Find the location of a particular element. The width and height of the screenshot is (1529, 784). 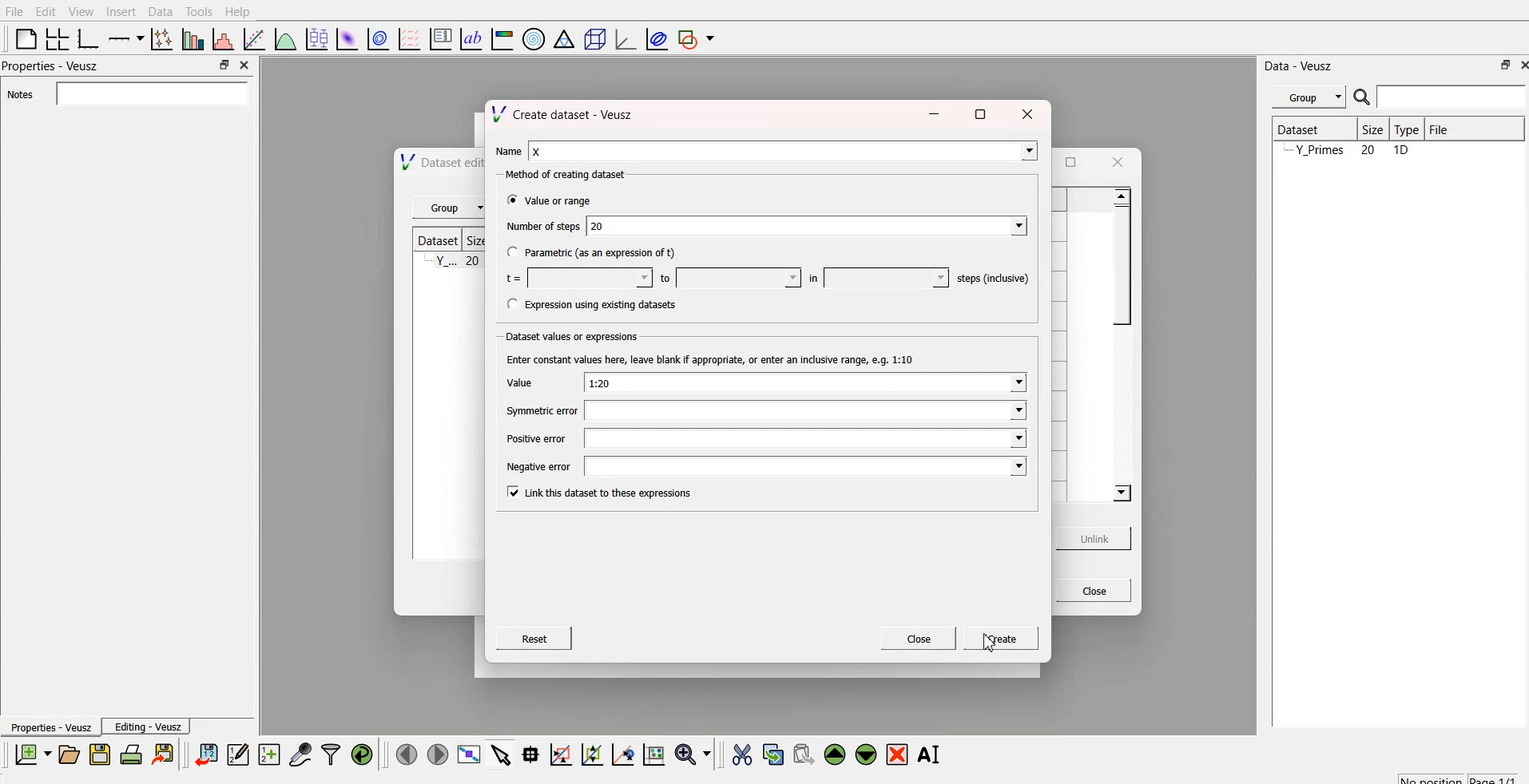

export to graphics format is located at coordinates (166, 754).